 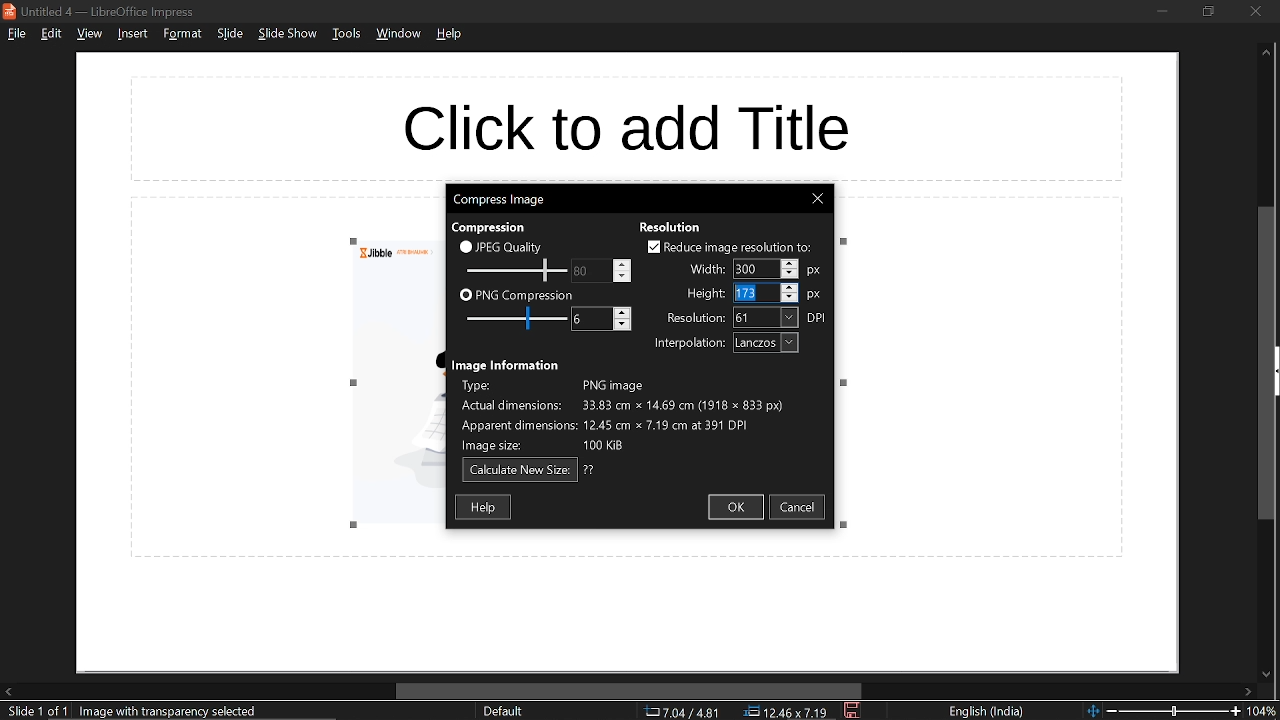 I want to click on Selected, so click(x=749, y=269).